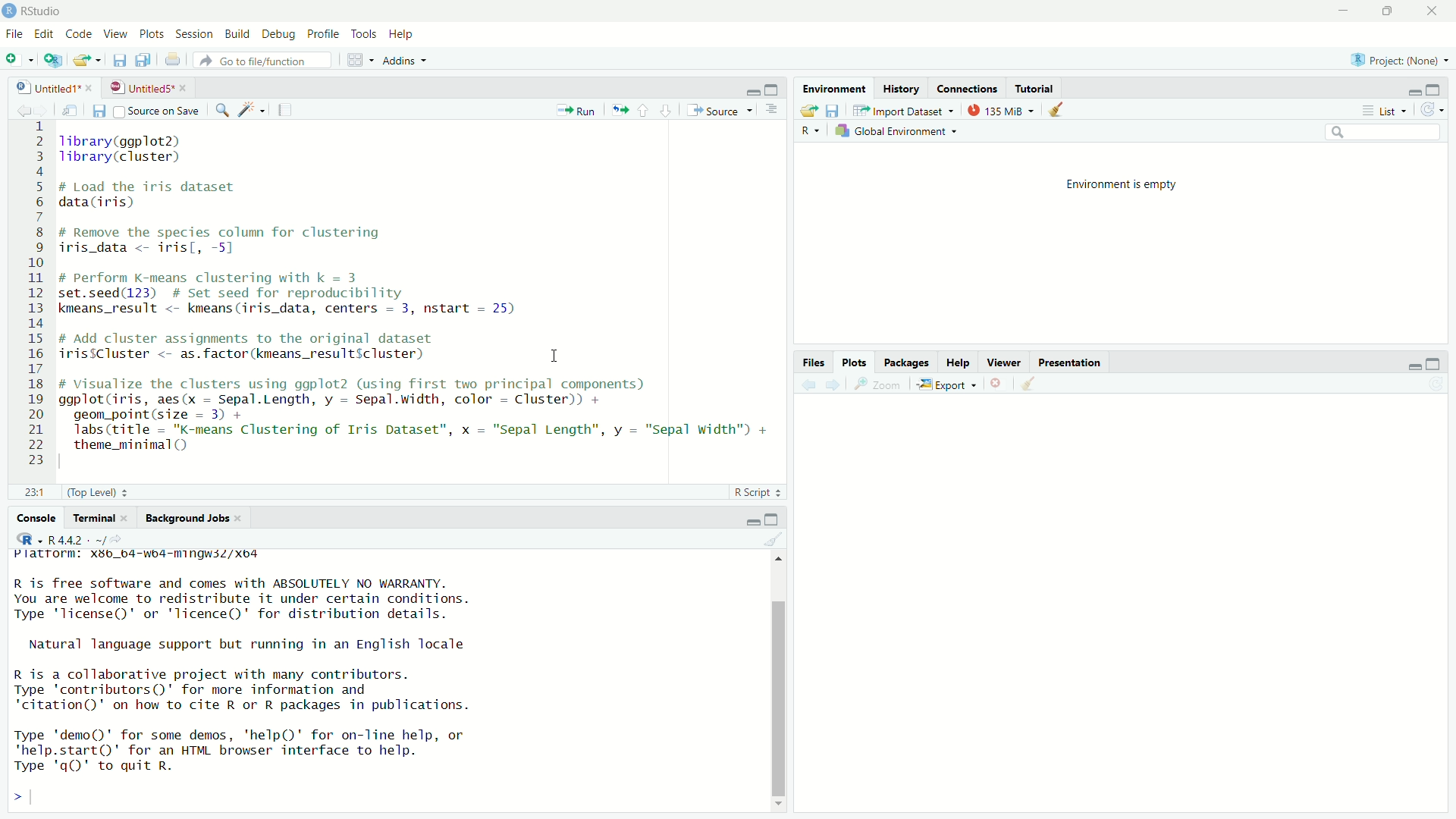  I want to click on # Load the iris dataset  data(iris), so click(165, 196).